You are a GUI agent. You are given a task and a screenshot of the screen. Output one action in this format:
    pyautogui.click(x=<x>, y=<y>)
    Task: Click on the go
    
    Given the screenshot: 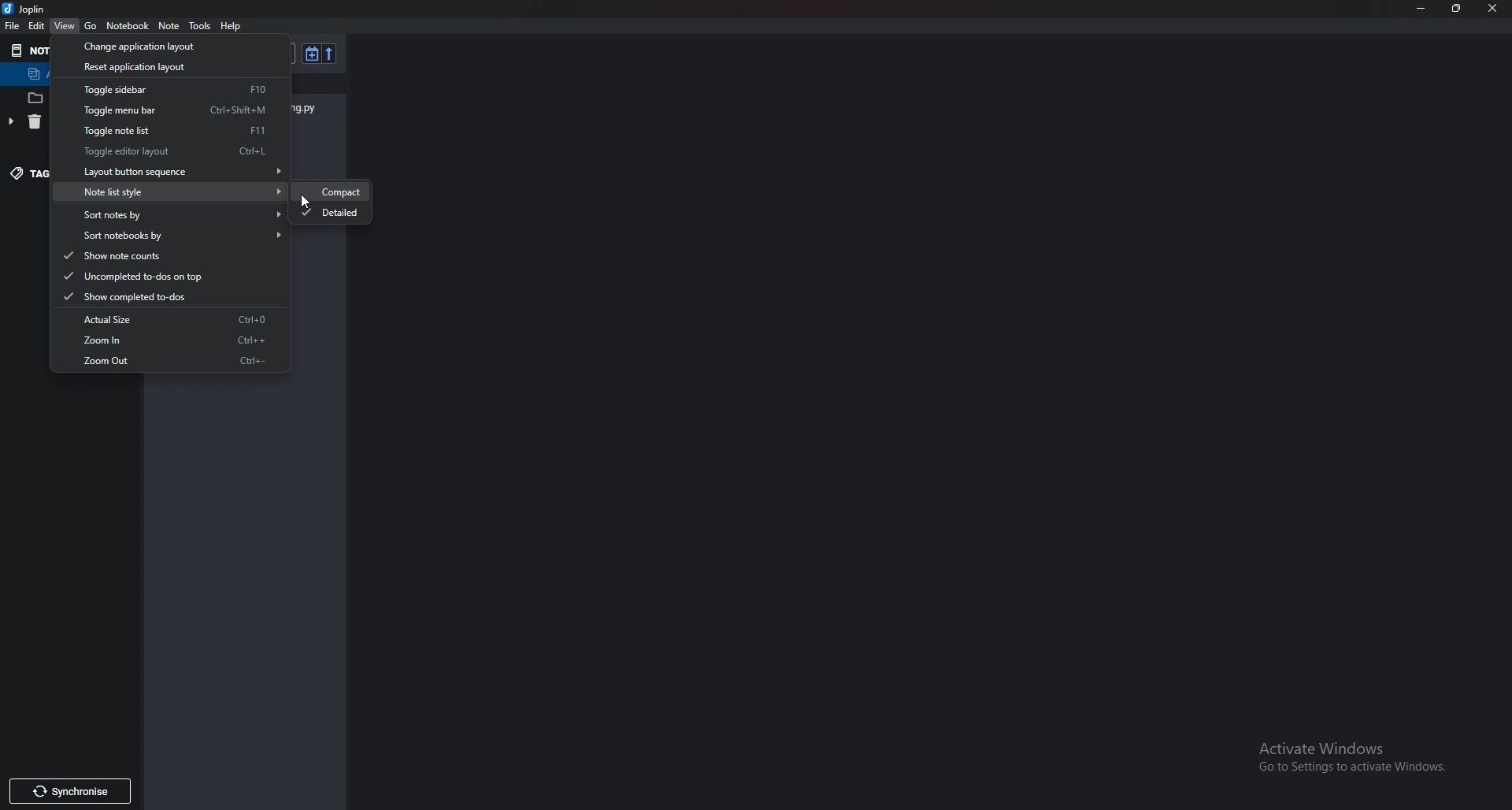 What is the action you would take?
    pyautogui.click(x=91, y=26)
    